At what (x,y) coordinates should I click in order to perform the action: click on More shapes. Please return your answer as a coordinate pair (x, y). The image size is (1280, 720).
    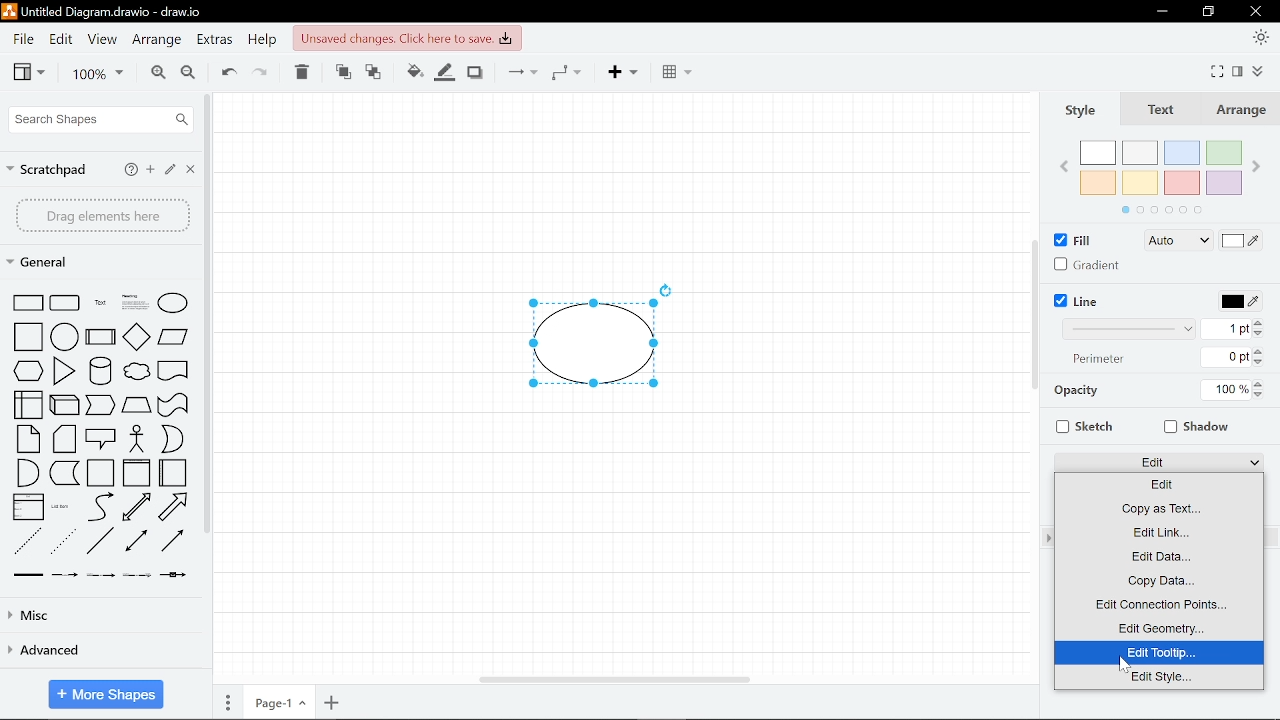
    Looking at the image, I should click on (104, 694).